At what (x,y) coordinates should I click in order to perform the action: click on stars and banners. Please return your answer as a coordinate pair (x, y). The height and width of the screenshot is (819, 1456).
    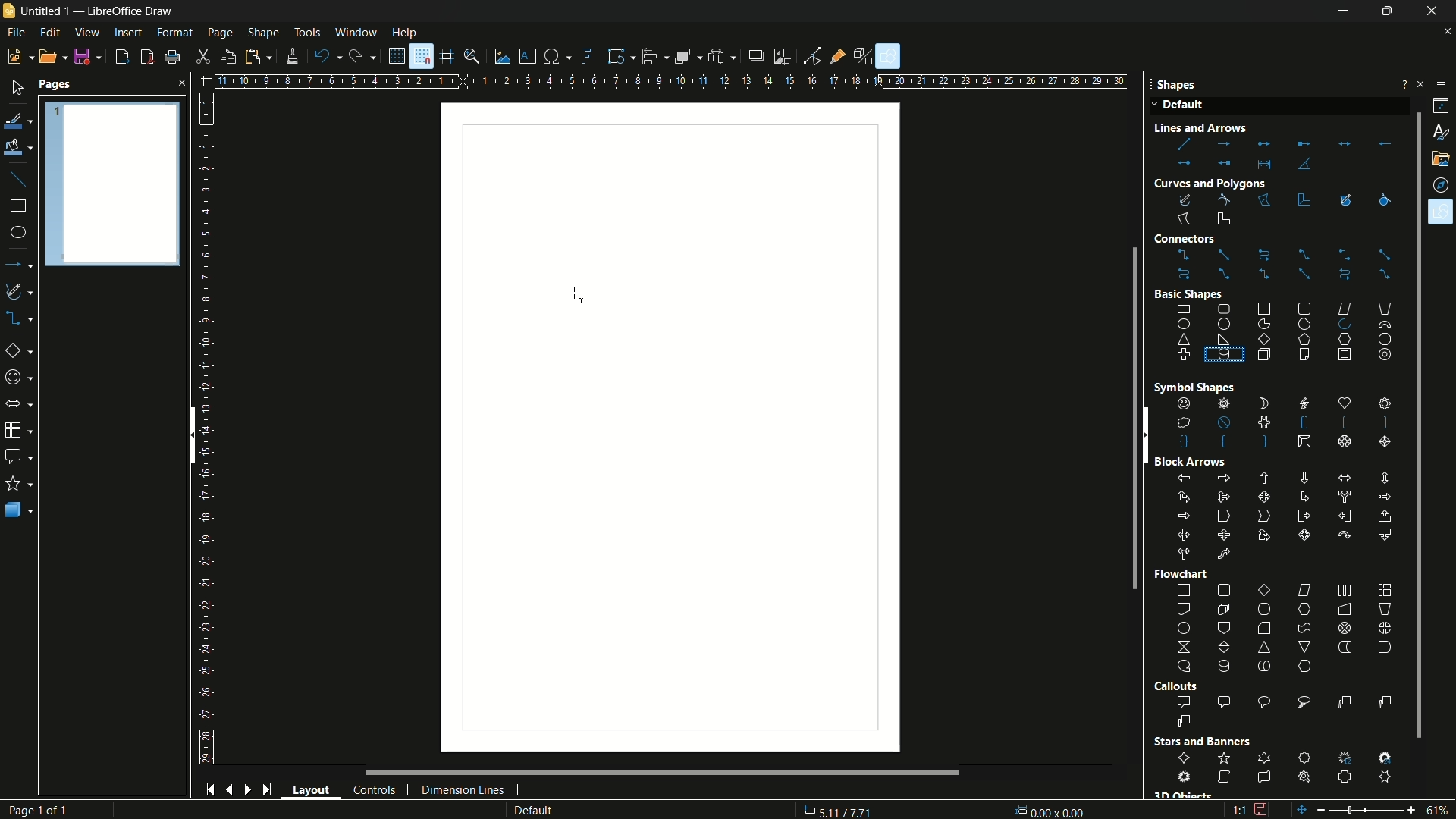
    Looking at the image, I should click on (1289, 767).